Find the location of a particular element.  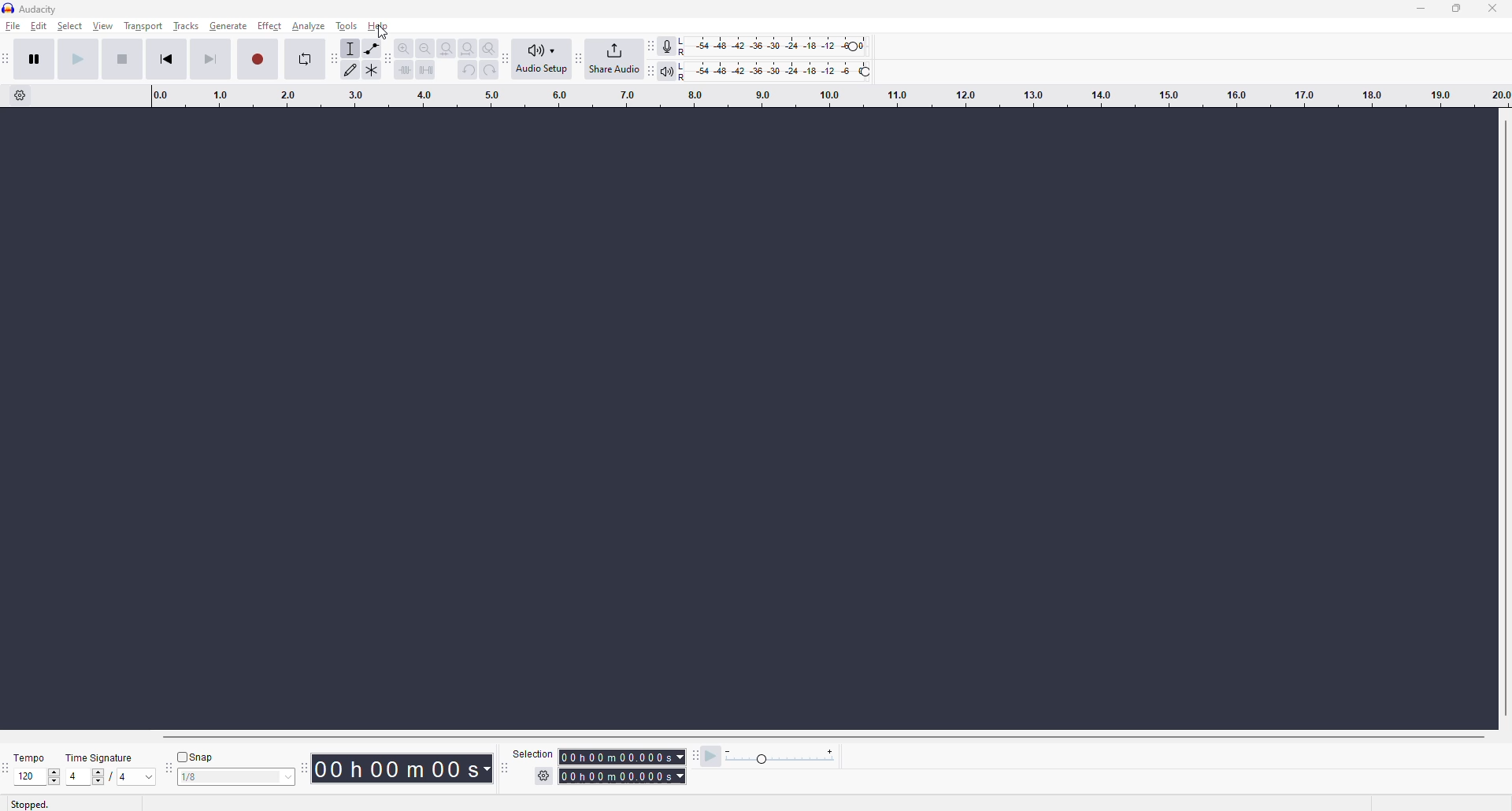

time signature is located at coordinates (101, 758).